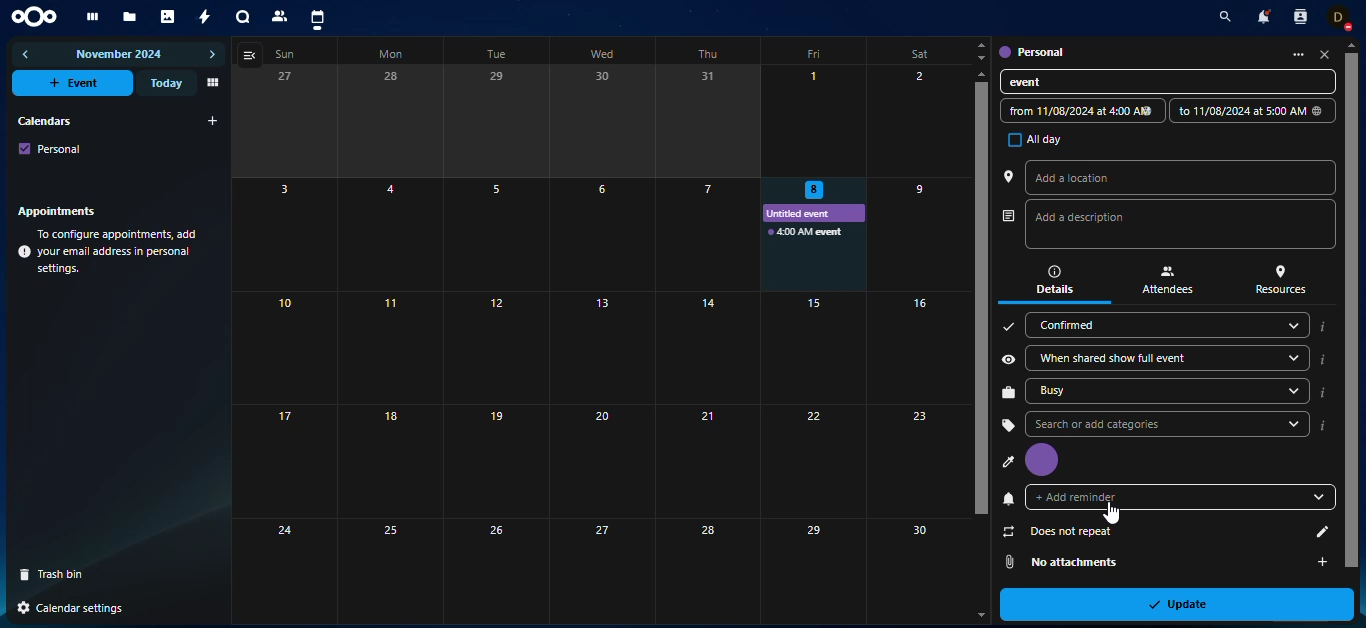 The width and height of the screenshot is (1366, 628). Describe the element at coordinates (1077, 110) in the screenshot. I see `date` at that location.